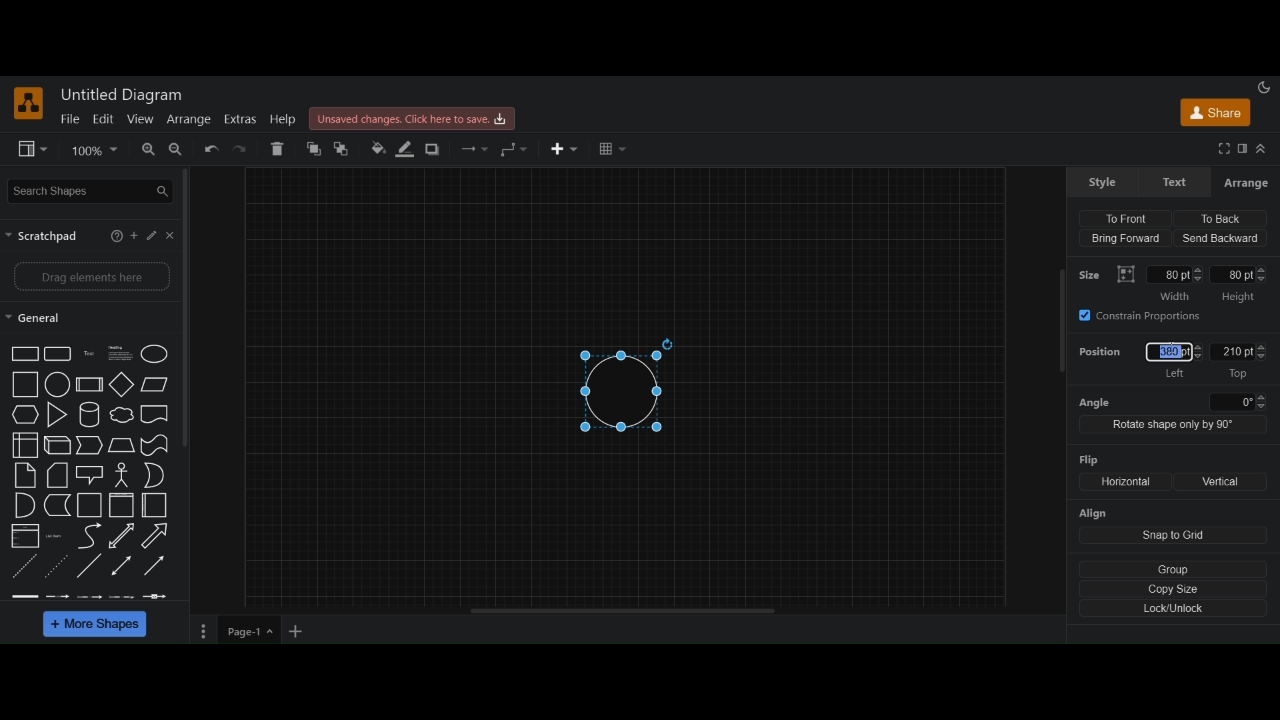 The image size is (1280, 720). What do you see at coordinates (154, 235) in the screenshot?
I see `help` at bounding box center [154, 235].